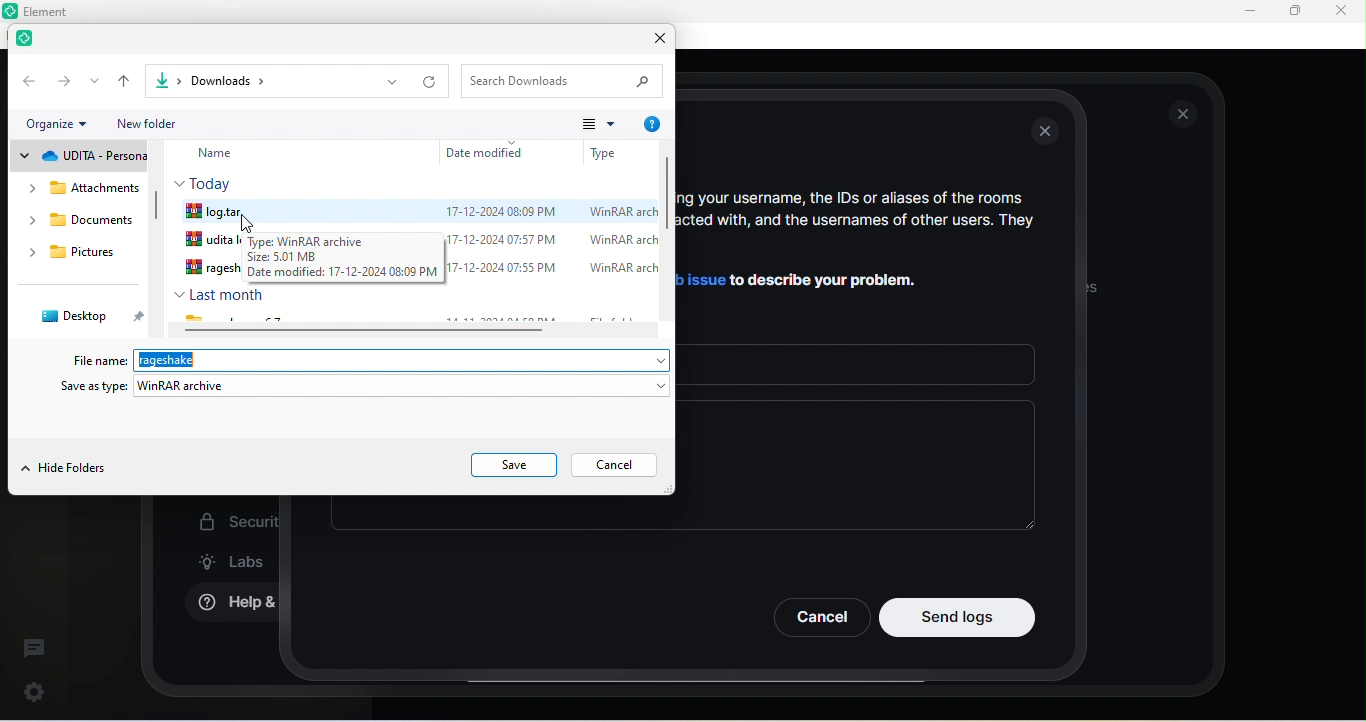  What do you see at coordinates (1246, 12) in the screenshot?
I see `minimize` at bounding box center [1246, 12].